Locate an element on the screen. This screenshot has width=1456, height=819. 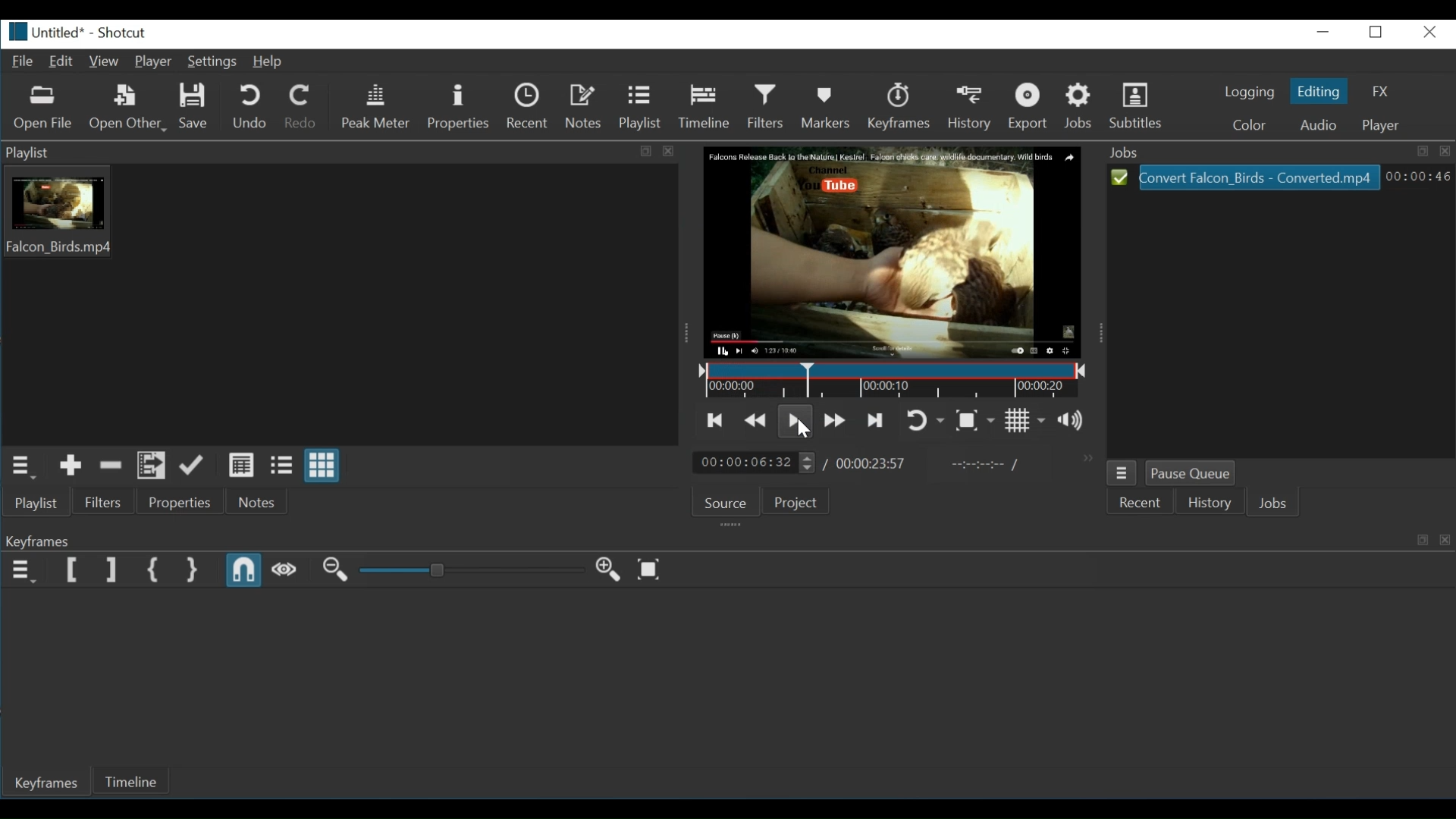
Logging is located at coordinates (1250, 91).